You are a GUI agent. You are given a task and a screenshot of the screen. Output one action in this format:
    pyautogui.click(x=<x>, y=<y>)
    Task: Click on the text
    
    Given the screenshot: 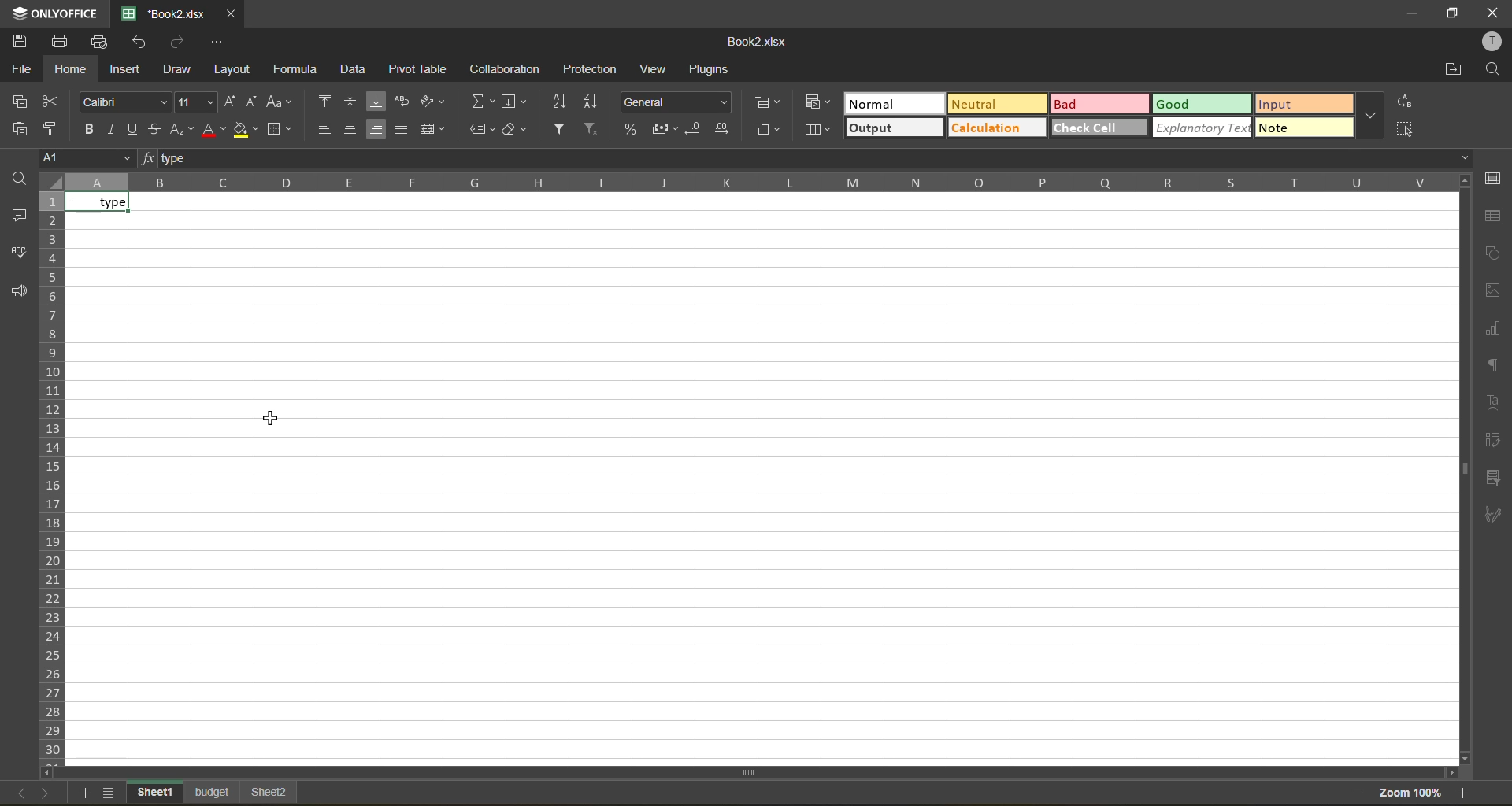 What is the action you would take?
    pyautogui.click(x=1495, y=402)
    